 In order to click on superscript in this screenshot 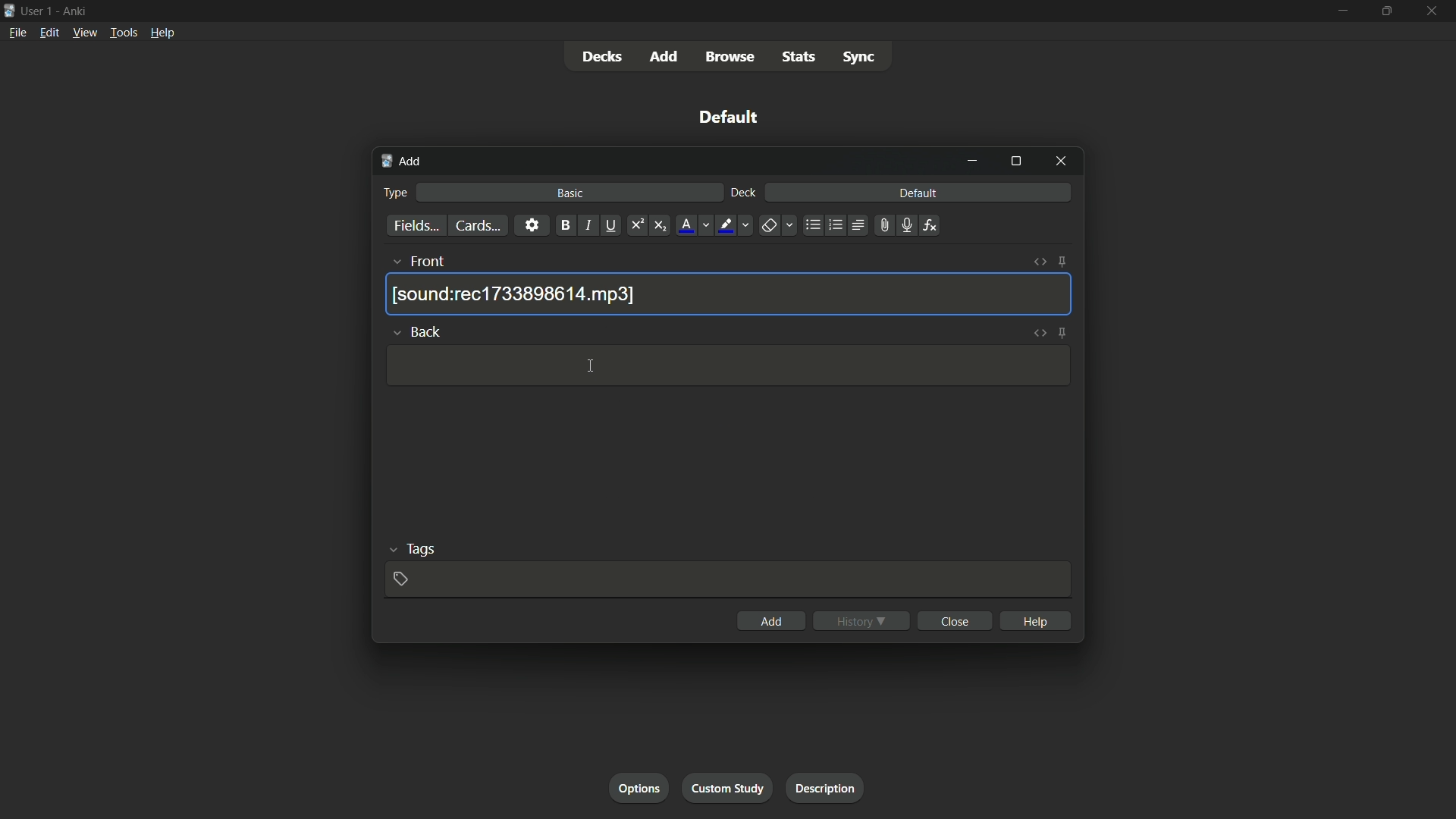, I will do `click(636, 225)`.